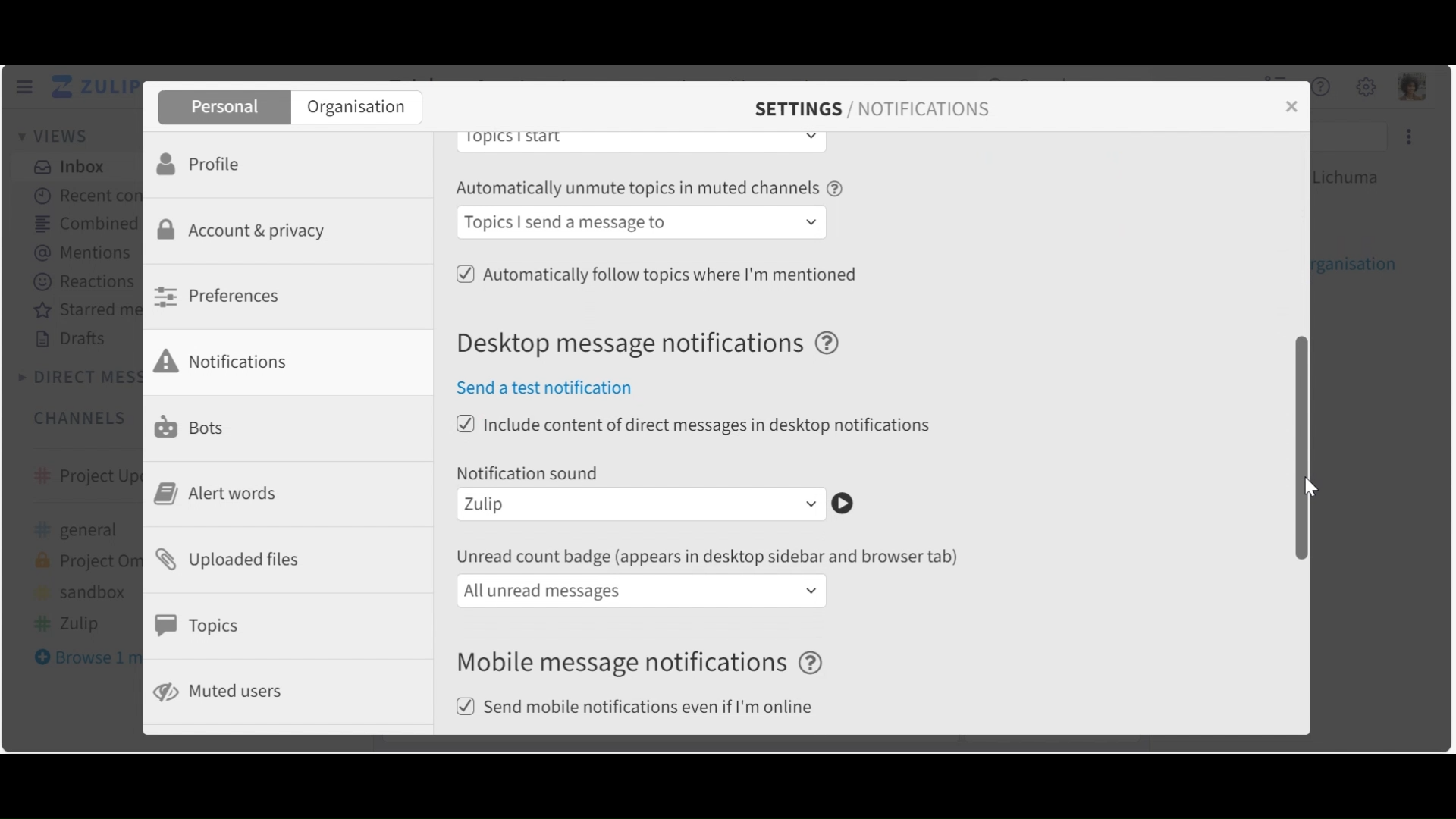 Image resolution: width=1456 pixels, height=819 pixels. I want to click on vertical scroll bar, so click(1297, 447).